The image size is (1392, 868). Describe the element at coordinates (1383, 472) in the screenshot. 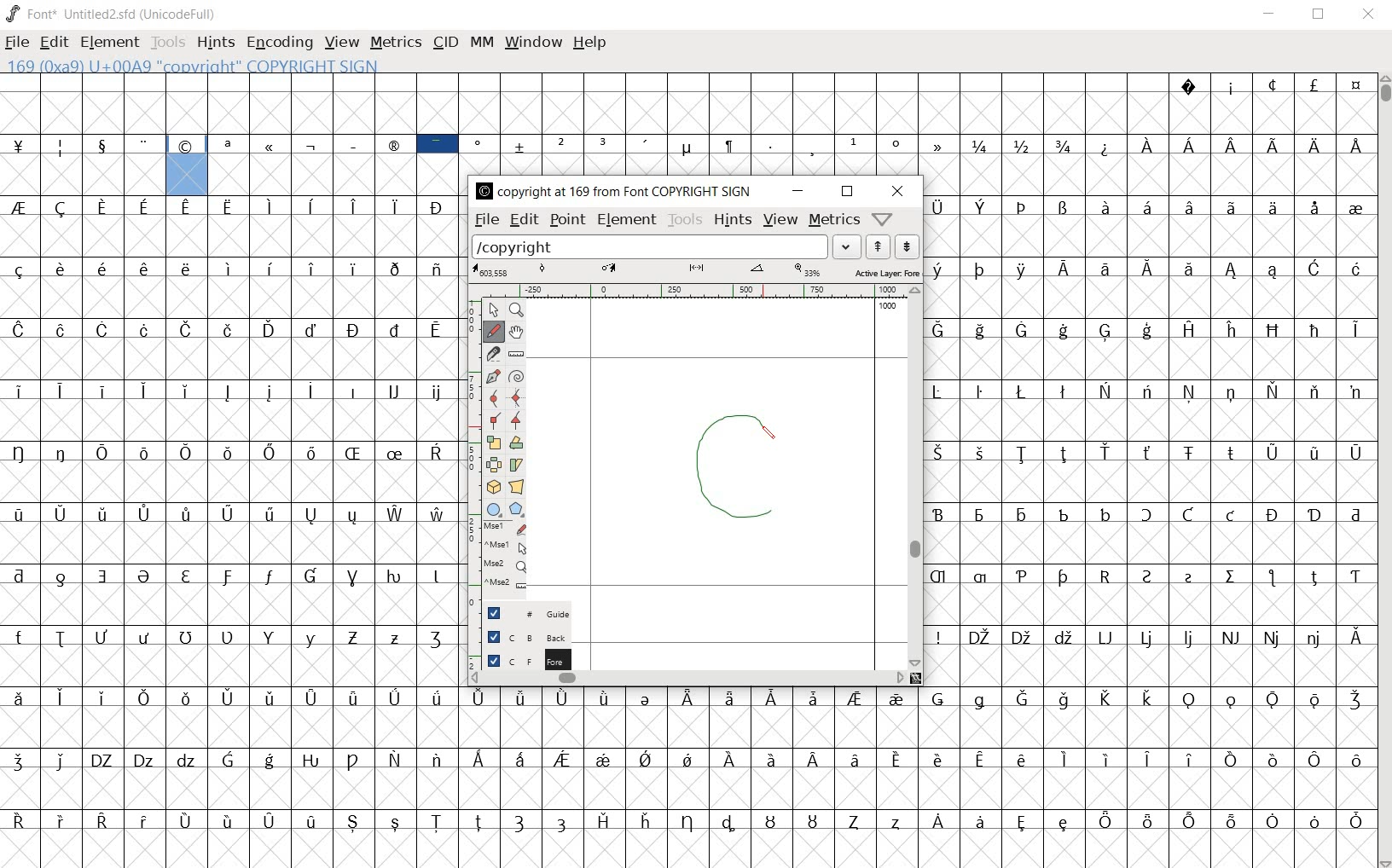

I see `scrollbar` at that location.